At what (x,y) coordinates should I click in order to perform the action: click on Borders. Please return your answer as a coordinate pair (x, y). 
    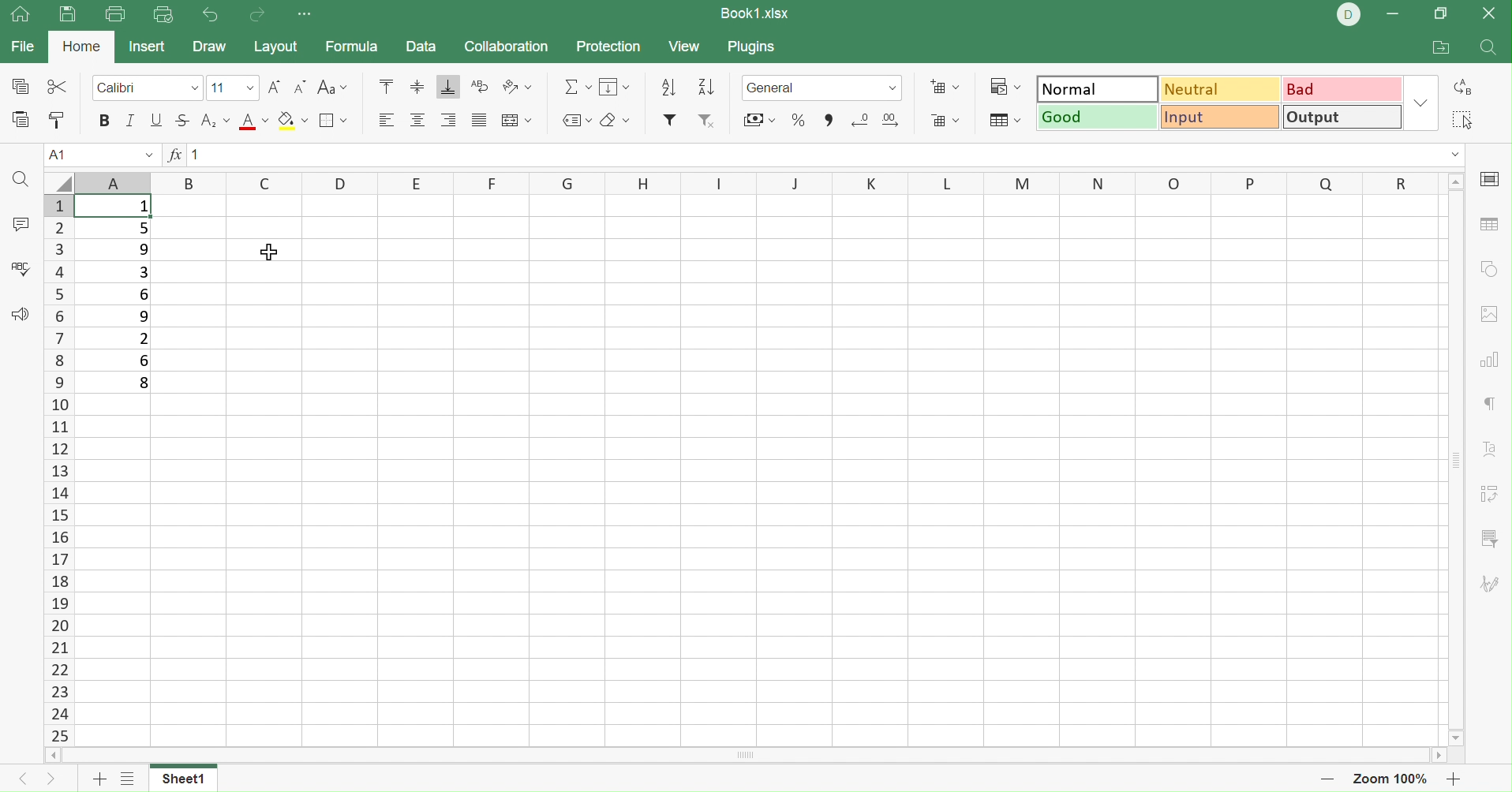
    Looking at the image, I should click on (331, 121).